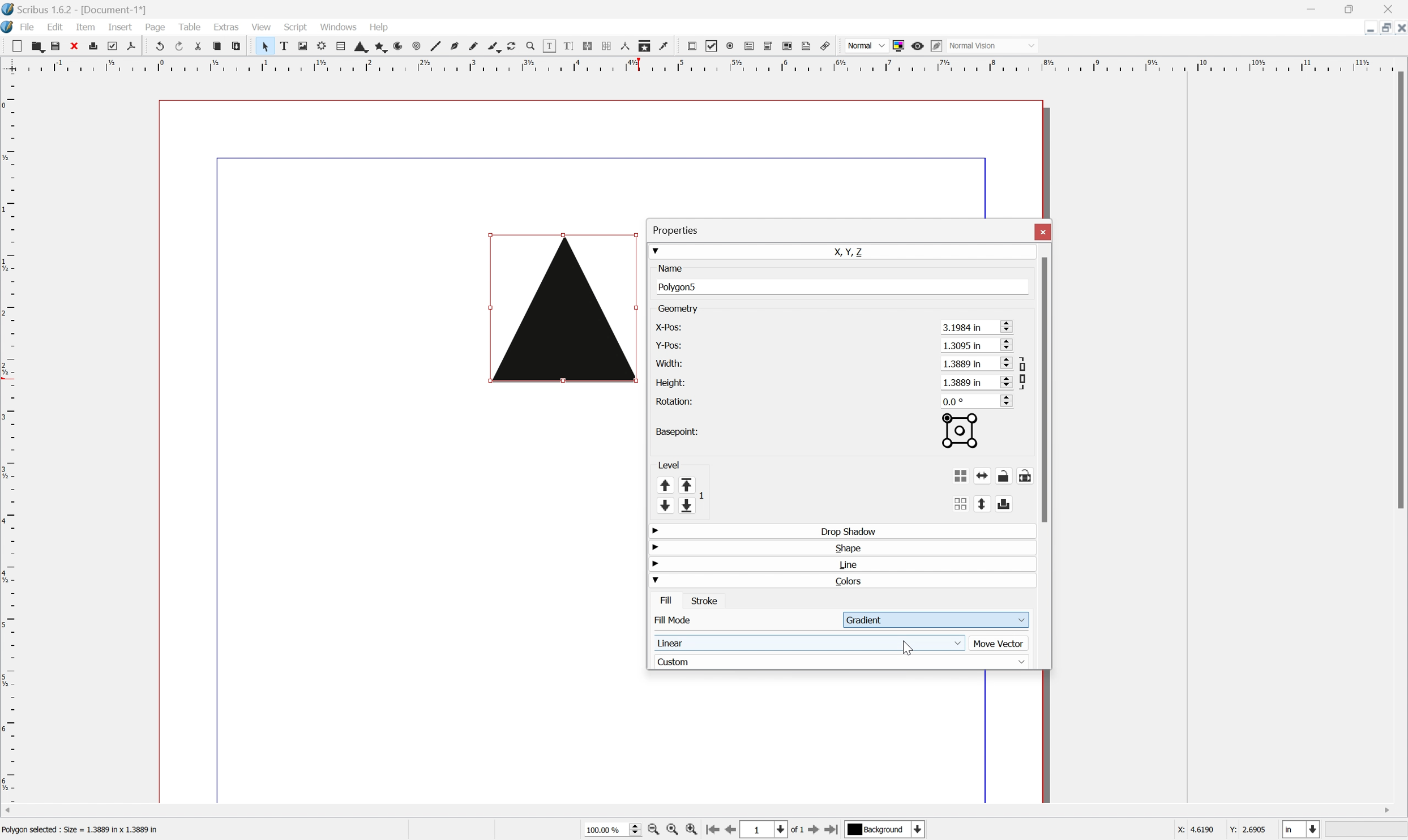 The image size is (1408, 840). I want to click on Width:, so click(668, 362).